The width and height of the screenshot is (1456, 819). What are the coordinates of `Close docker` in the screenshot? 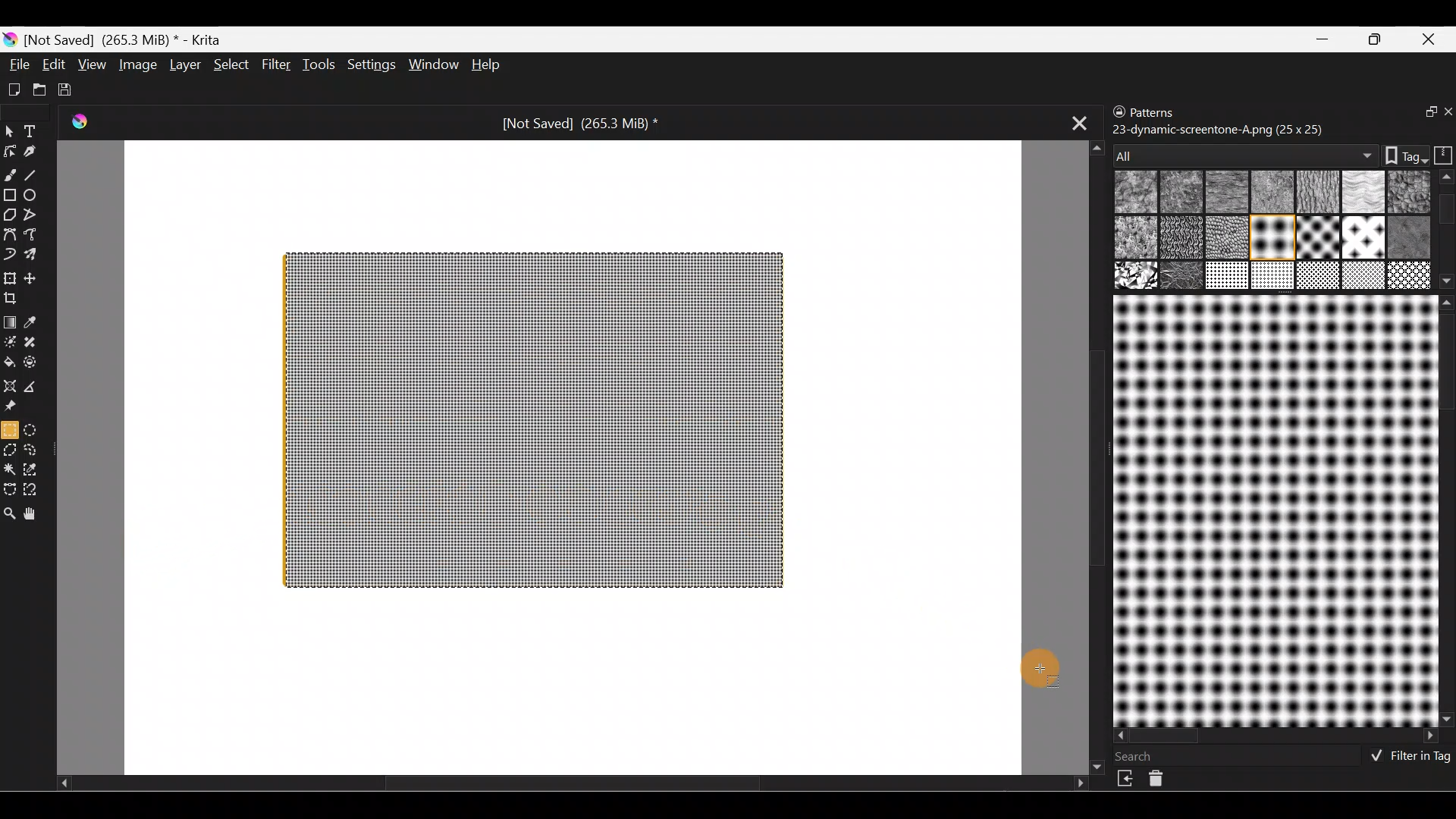 It's located at (1446, 113).